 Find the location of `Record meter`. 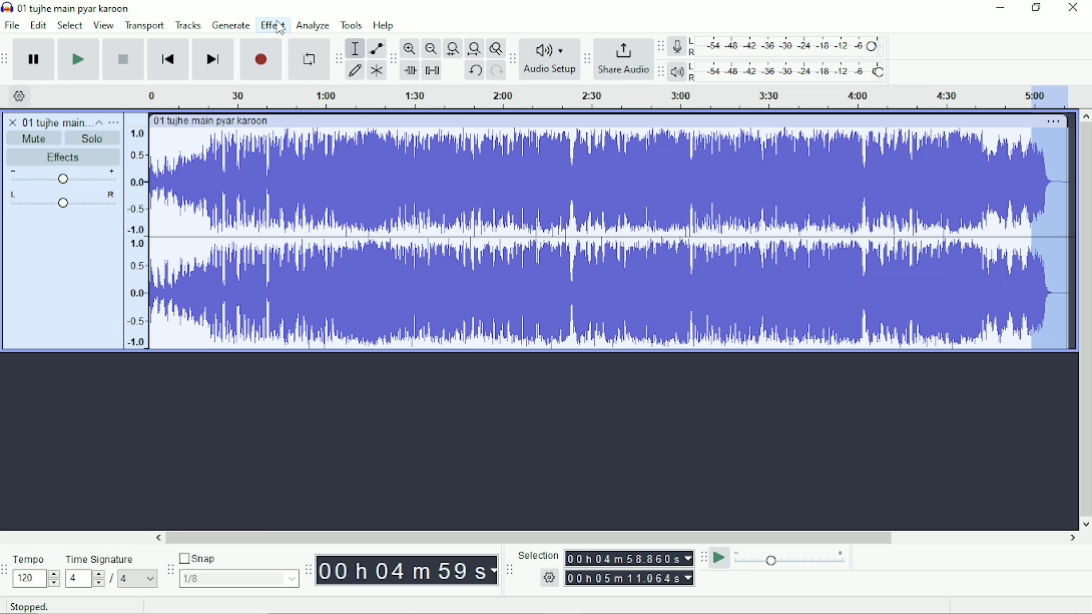

Record meter is located at coordinates (777, 46).